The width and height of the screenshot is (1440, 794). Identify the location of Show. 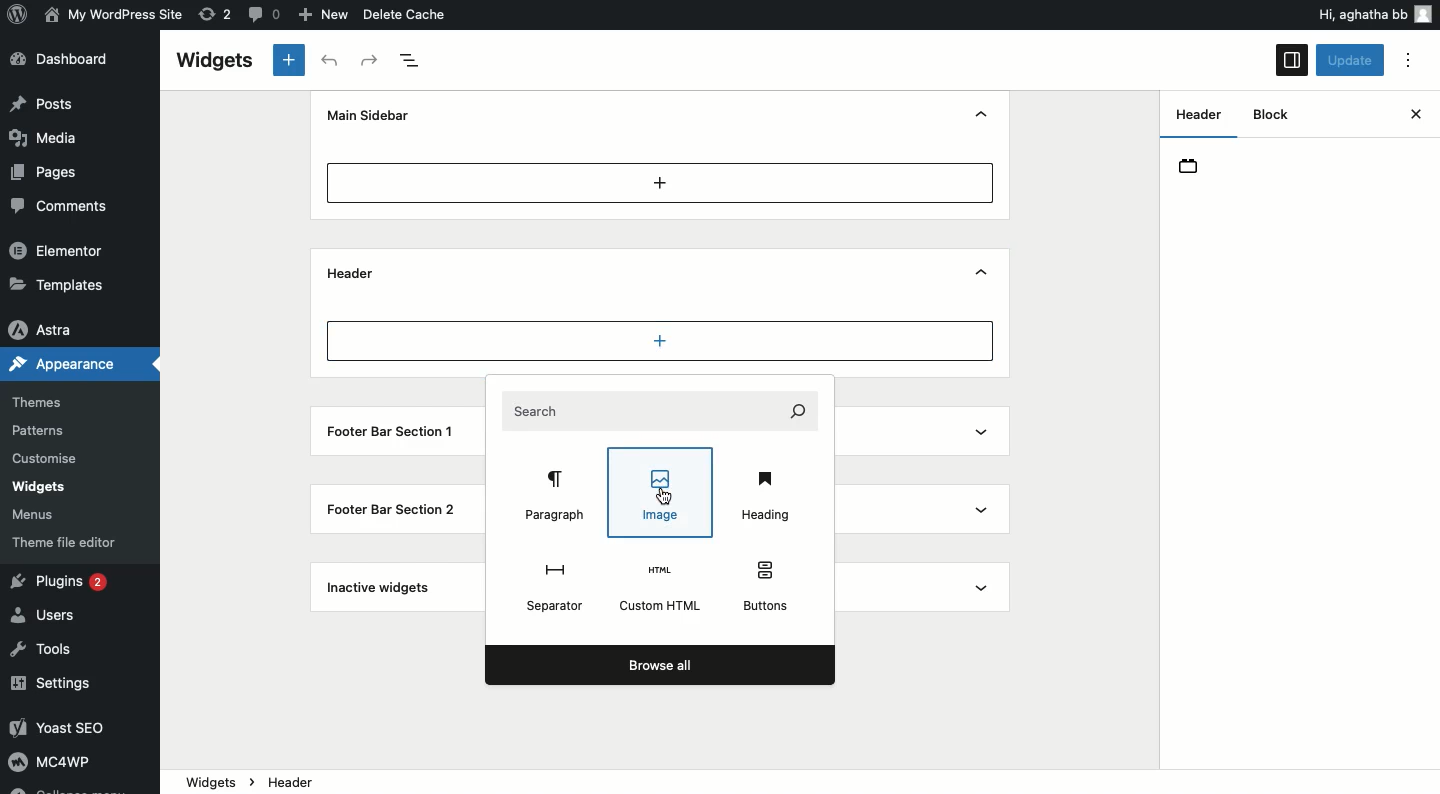
(984, 507).